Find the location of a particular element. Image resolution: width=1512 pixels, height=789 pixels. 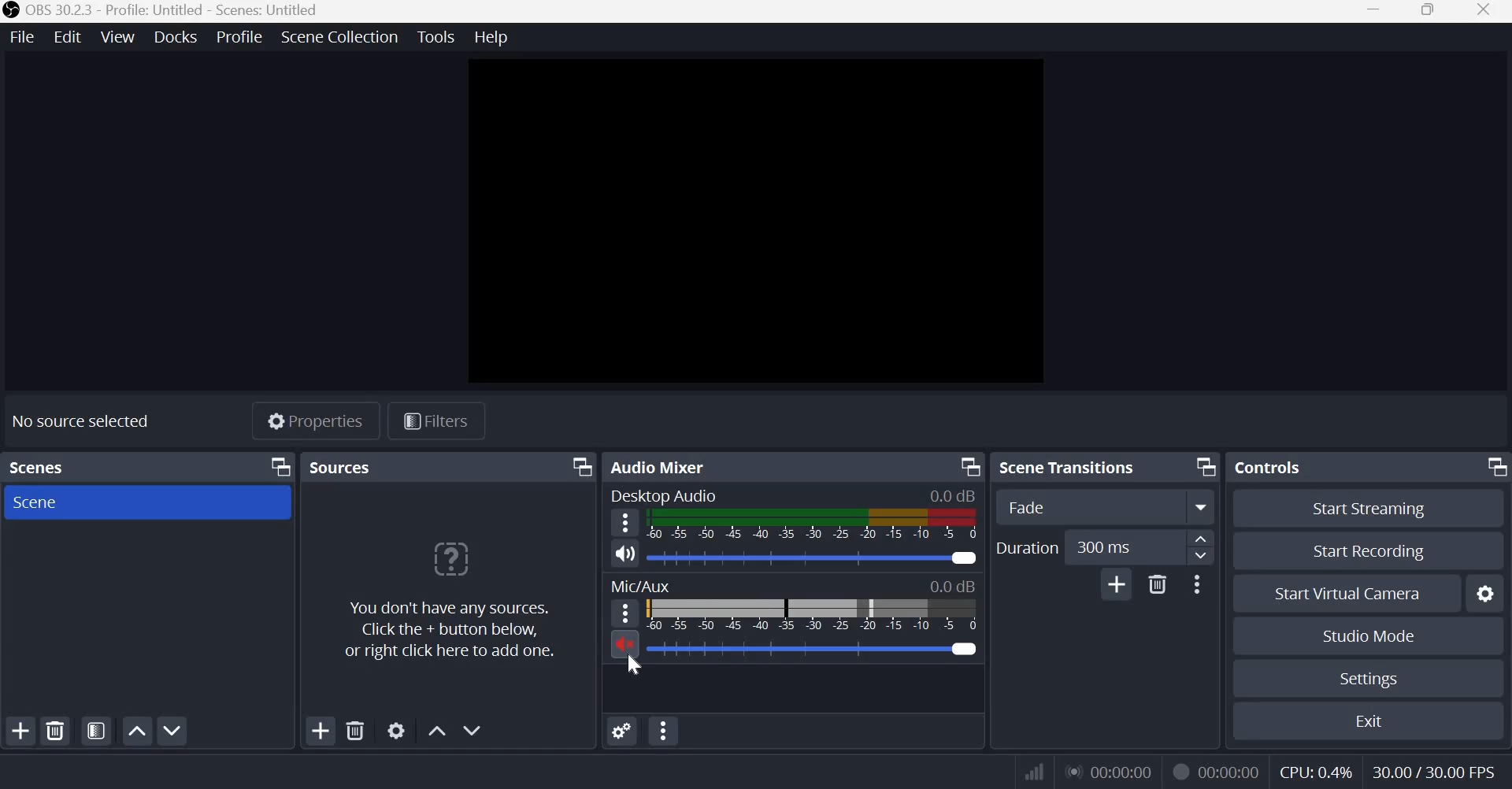

Docks is located at coordinates (176, 39).